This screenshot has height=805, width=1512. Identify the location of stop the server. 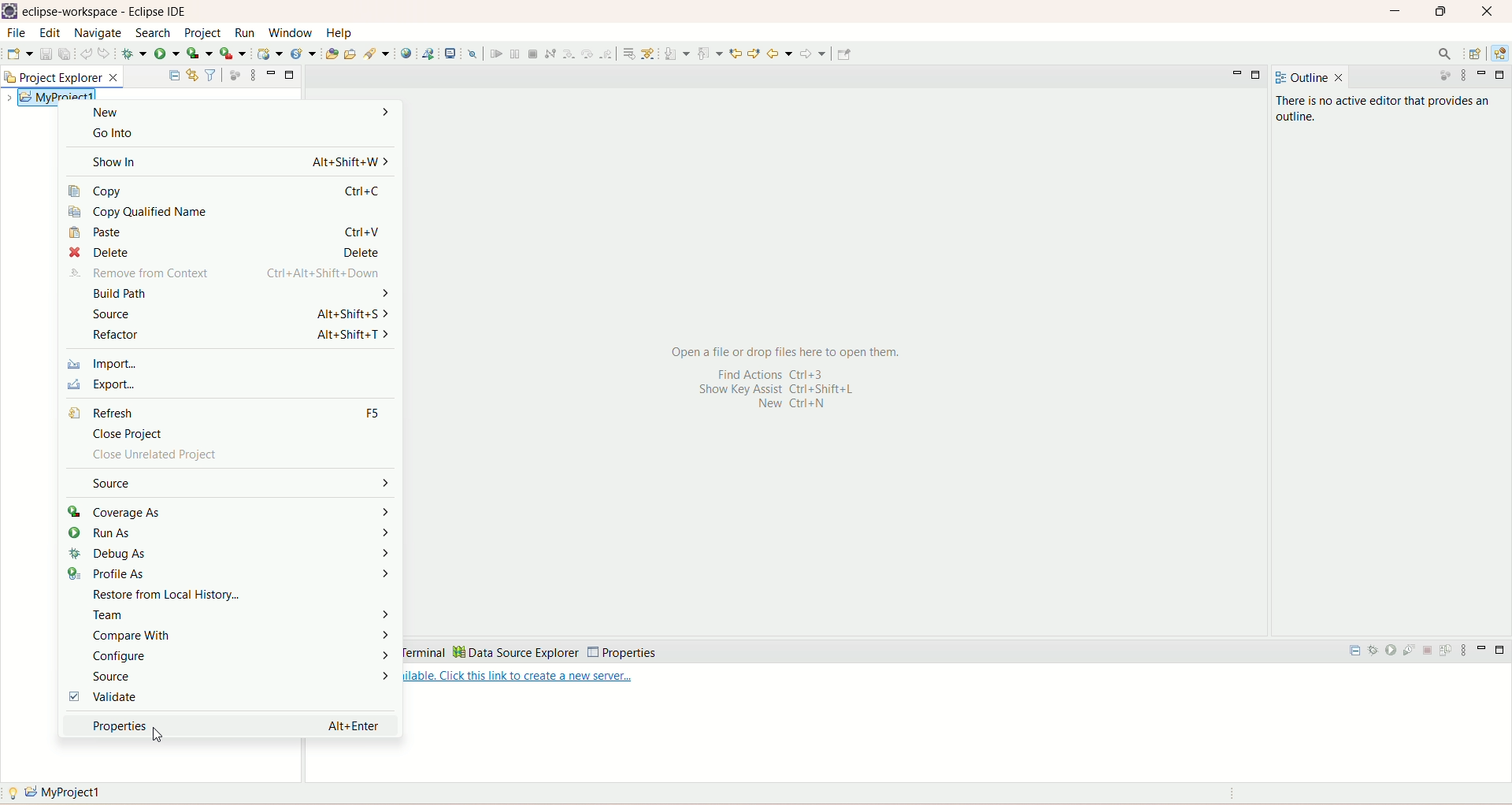
(1430, 652).